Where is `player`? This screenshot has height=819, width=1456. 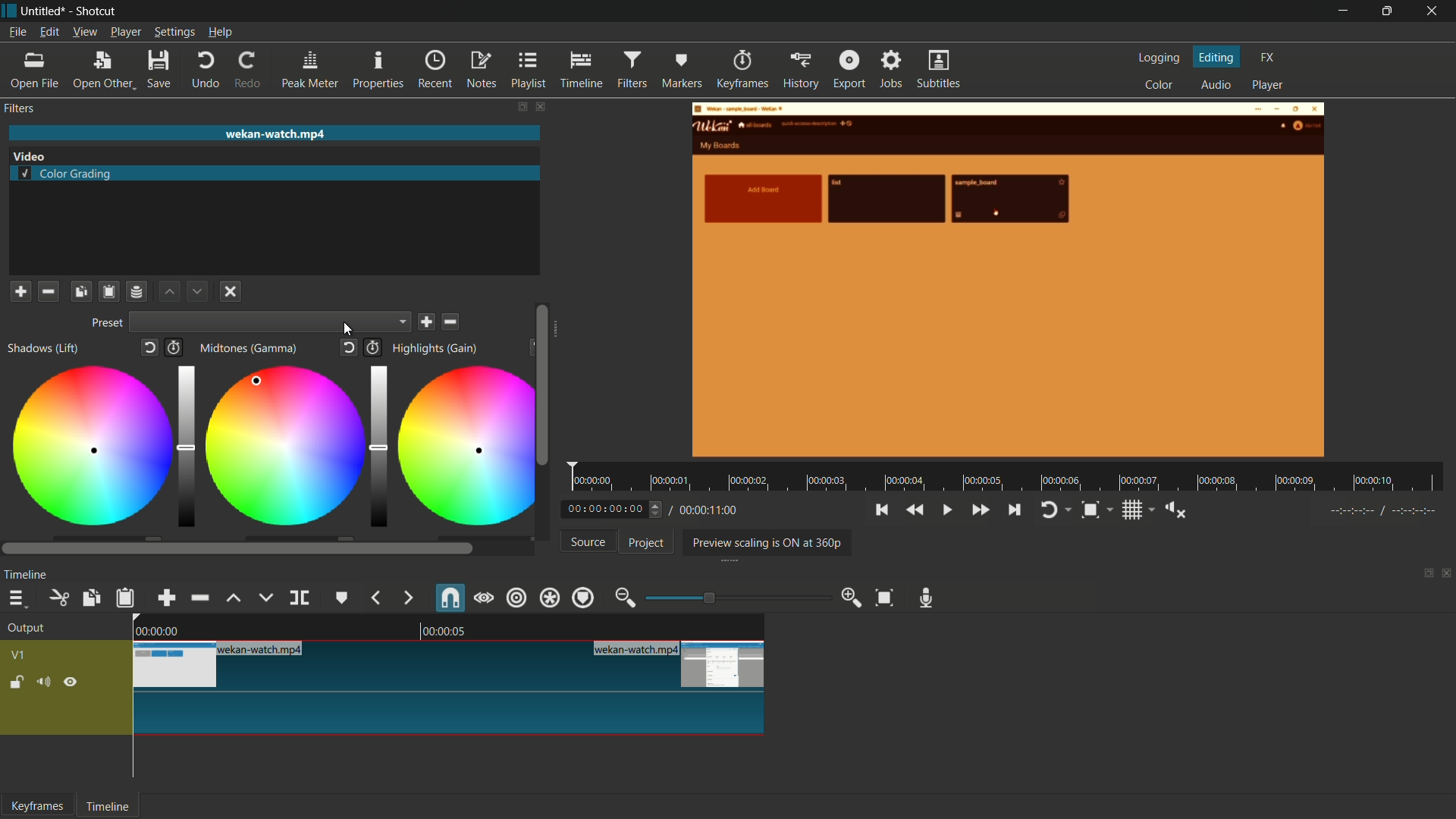
player is located at coordinates (1270, 85).